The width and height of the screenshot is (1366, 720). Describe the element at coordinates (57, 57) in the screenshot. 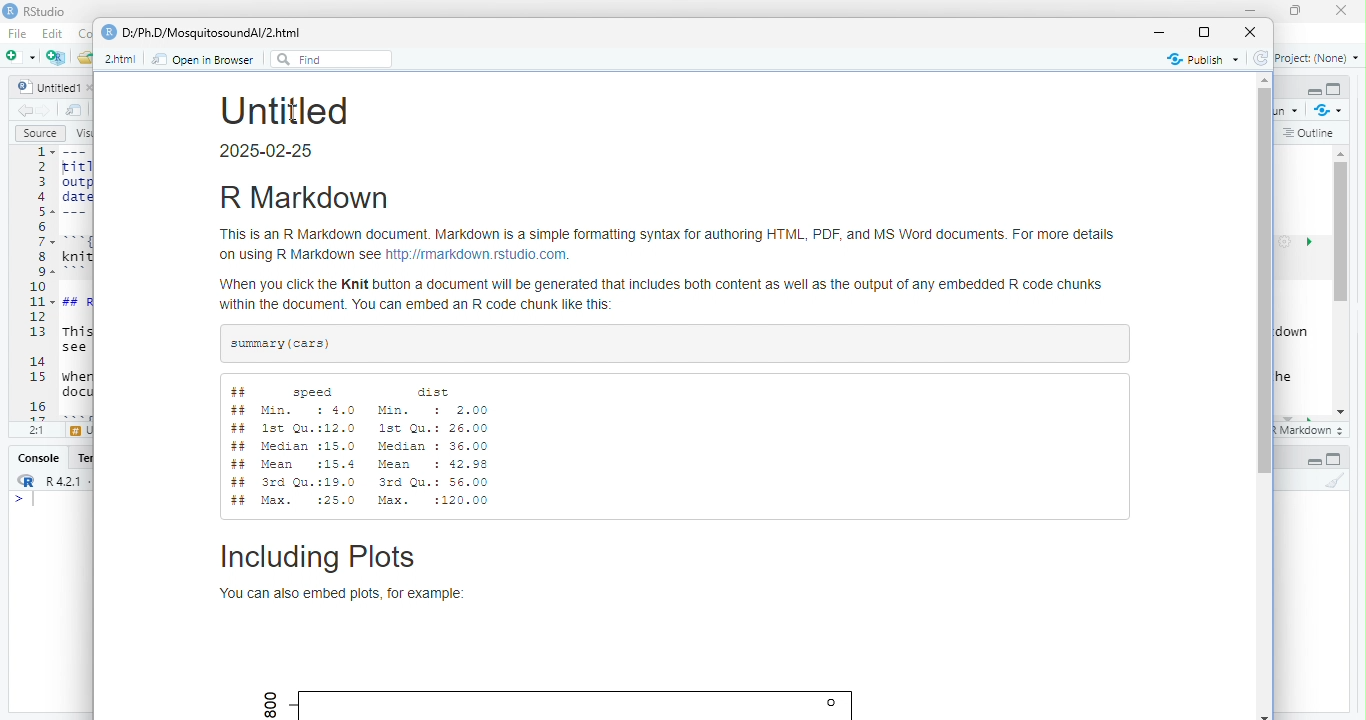

I see `add file` at that location.